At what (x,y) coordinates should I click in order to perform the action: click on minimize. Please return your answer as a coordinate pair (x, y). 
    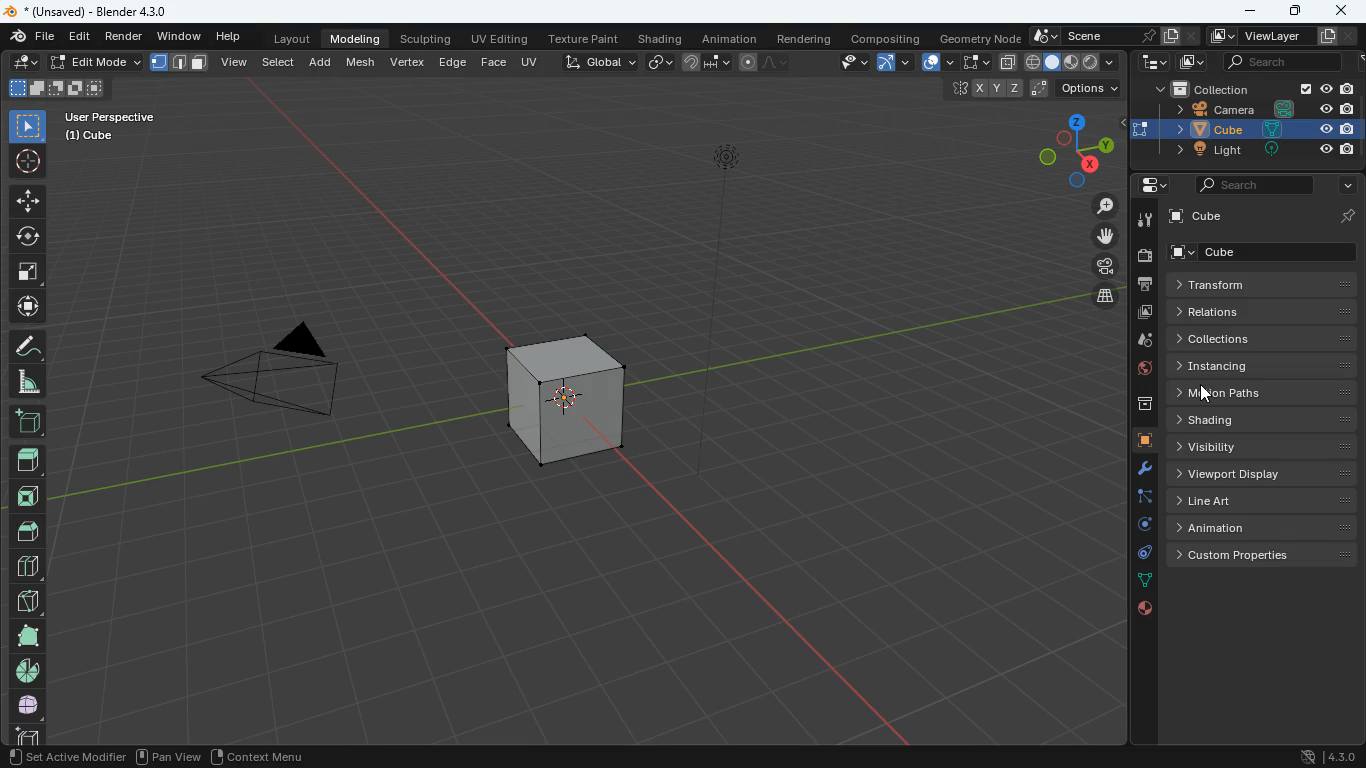
    Looking at the image, I should click on (1249, 10).